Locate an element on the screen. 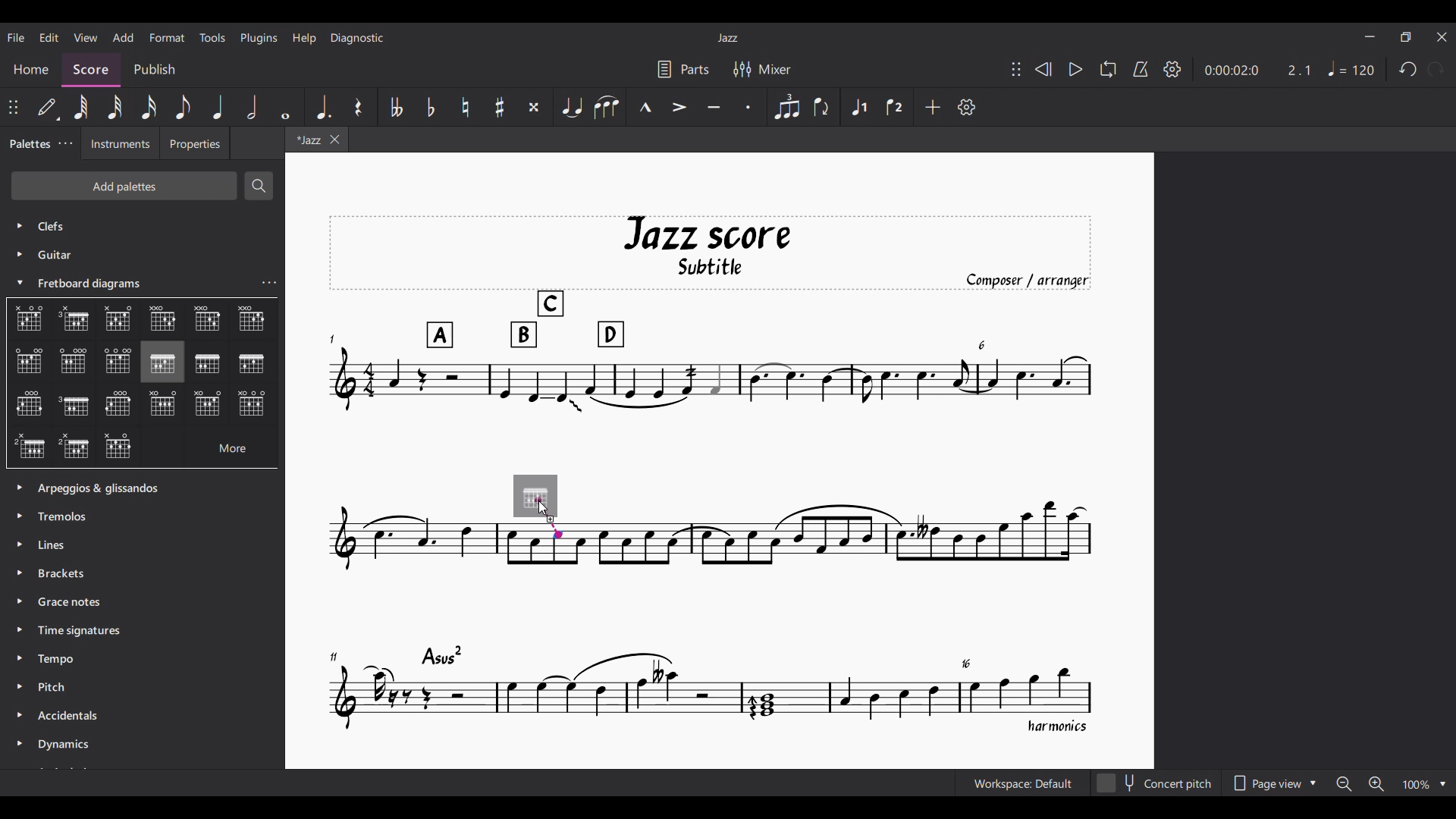 The width and height of the screenshot is (1456, 819). Format menu is located at coordinates (167, 38).